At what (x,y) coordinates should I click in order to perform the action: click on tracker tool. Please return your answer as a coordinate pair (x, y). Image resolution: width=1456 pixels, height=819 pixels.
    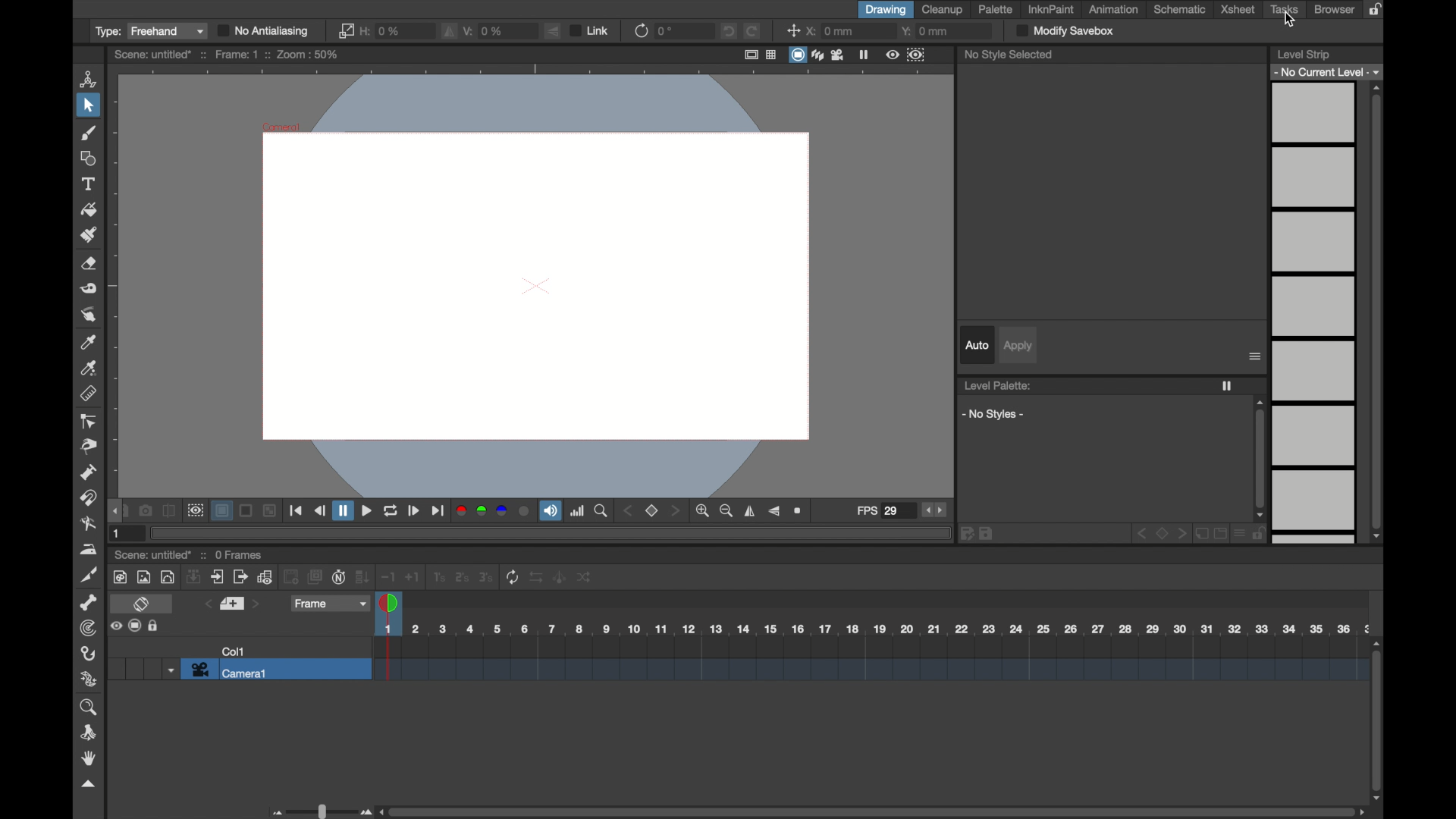
    Looking at the image, I should click on (89, 629).